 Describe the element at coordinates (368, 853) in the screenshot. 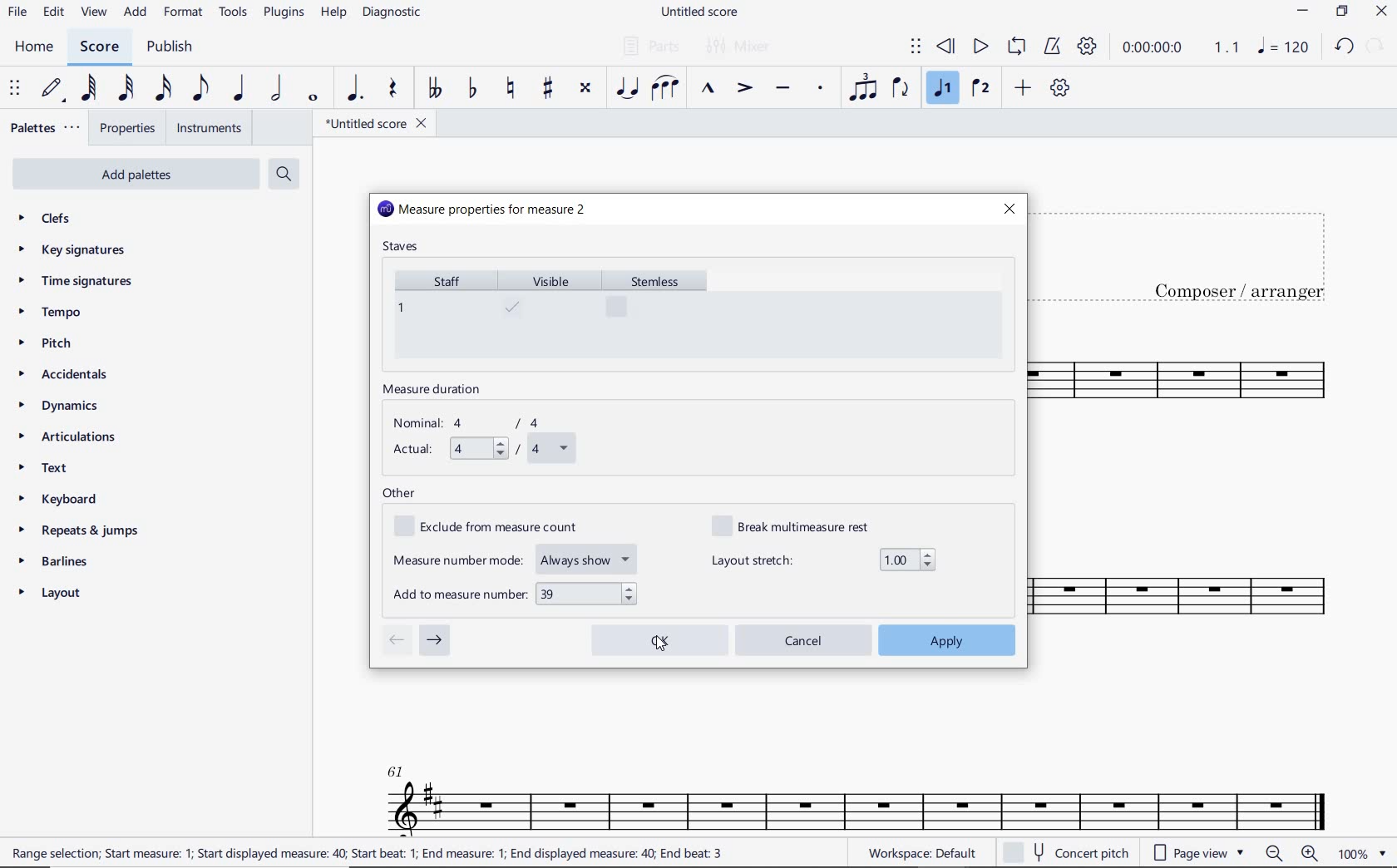

I see `range selection` at that location.